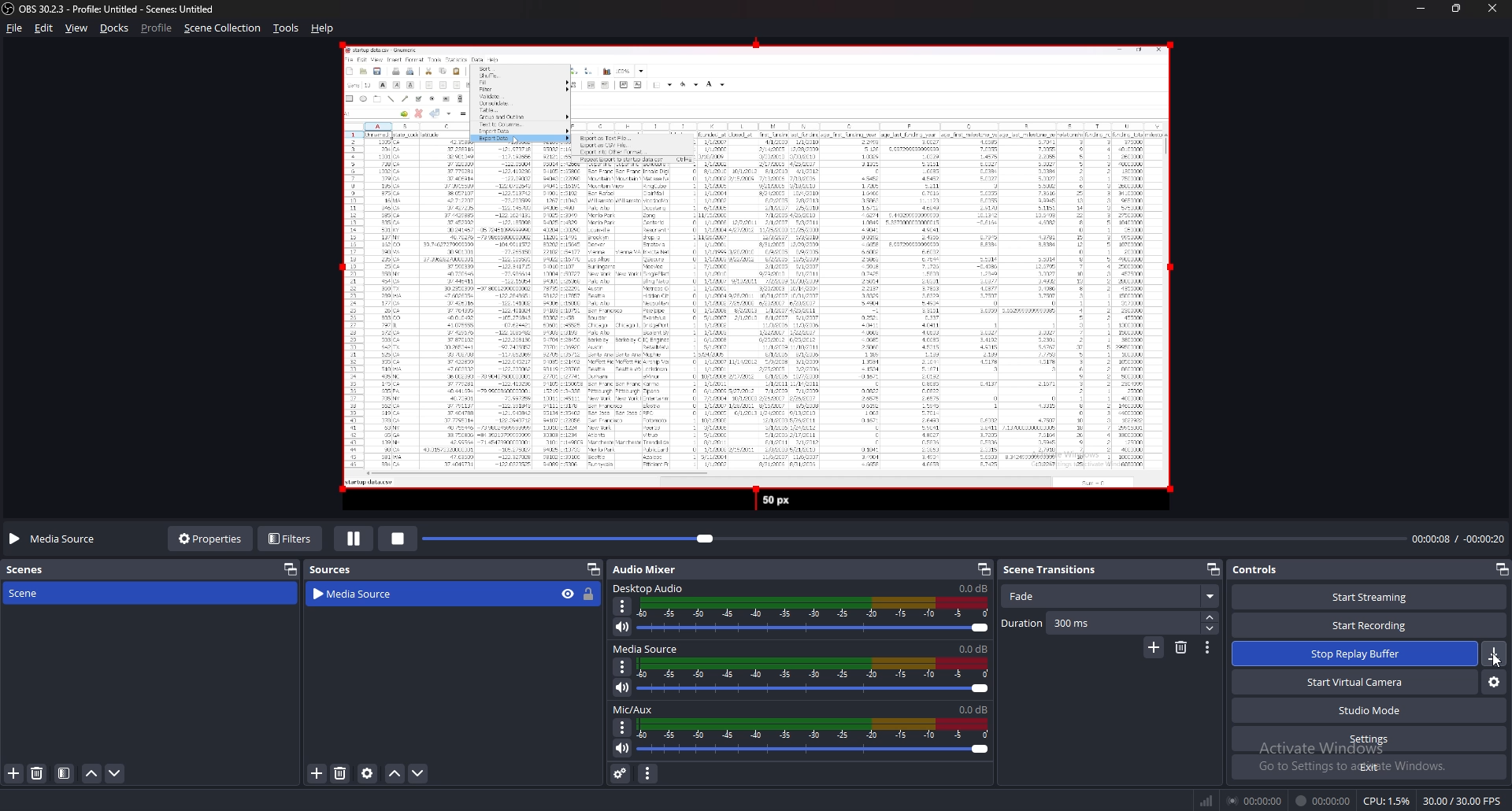 This screenshot has width=1512, height=811. Describe the element at coordinates (623, 628) in the screenshot. I see `mute` at that location.